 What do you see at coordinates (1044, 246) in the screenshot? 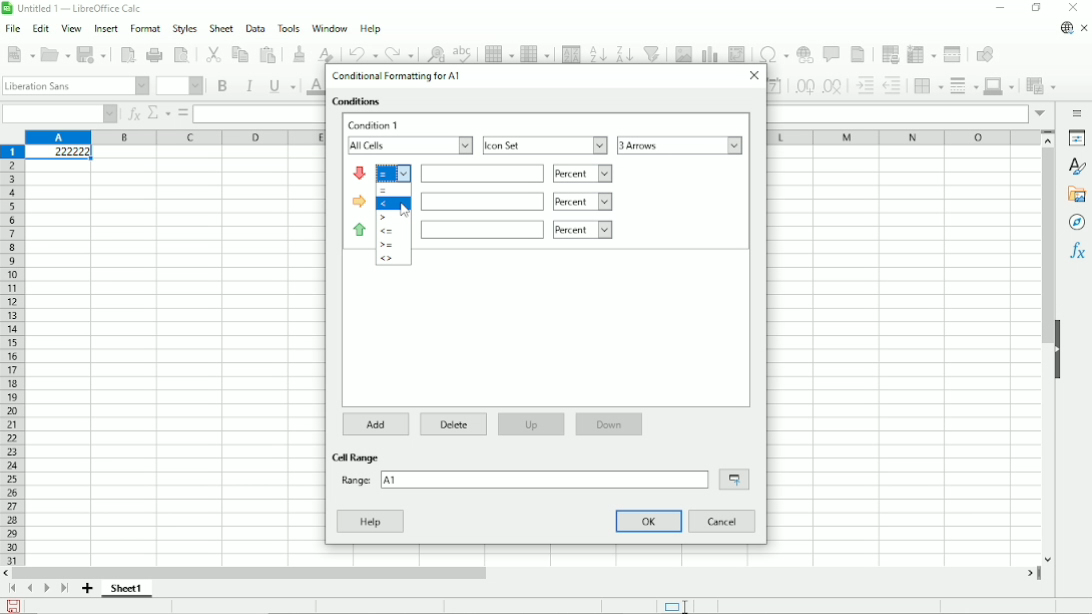
I see `Vertical scrollbar` at bounding box center [1044, 246].